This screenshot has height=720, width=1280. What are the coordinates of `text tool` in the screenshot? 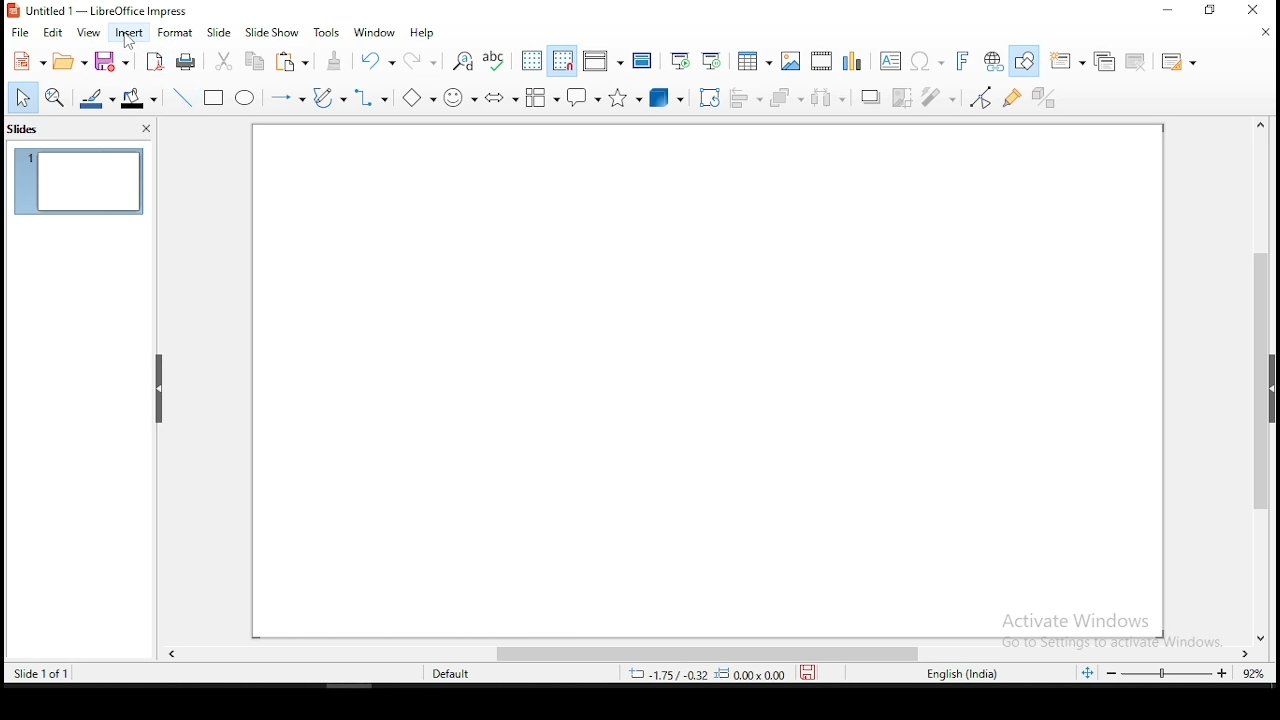 It's located at (891, 60).